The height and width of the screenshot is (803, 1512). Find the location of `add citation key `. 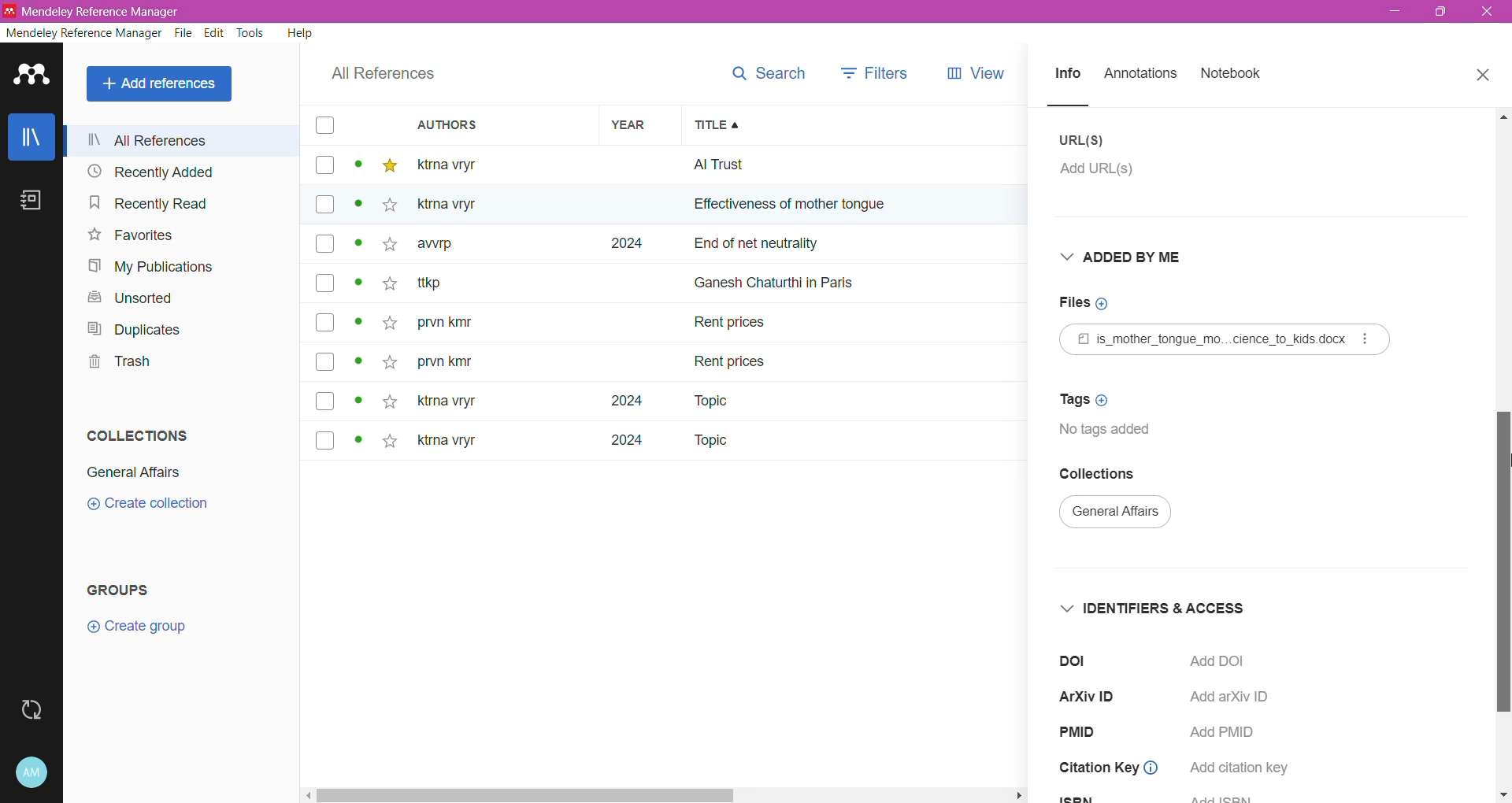

add citation key  is located at coordinates (1241, 768).